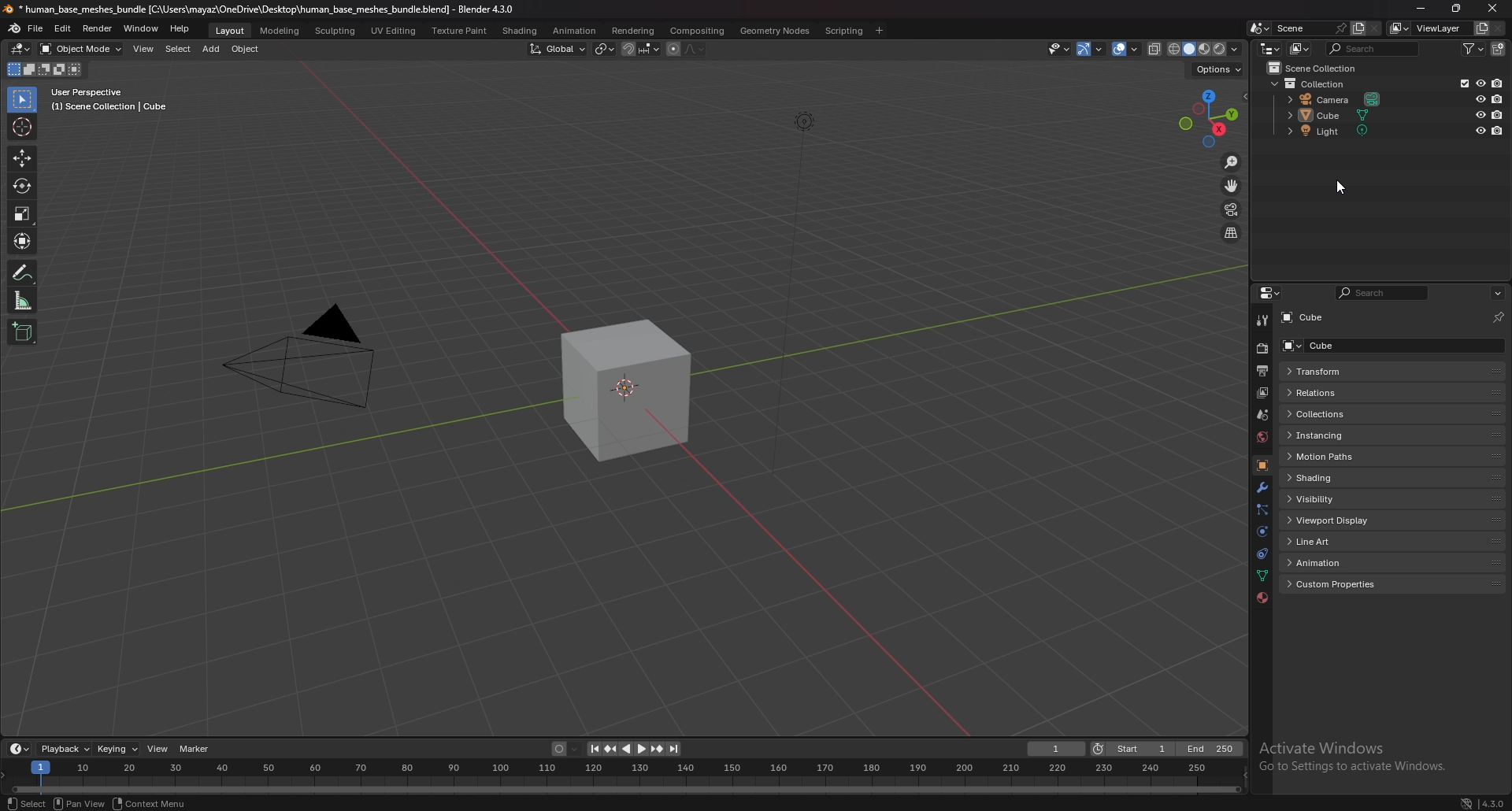 The width and height of the screenshot is (1512, 811). Describe the element at coordinates (1231, 234) in the screenshot. I see `switch view from perspective/orthographic` at that location.